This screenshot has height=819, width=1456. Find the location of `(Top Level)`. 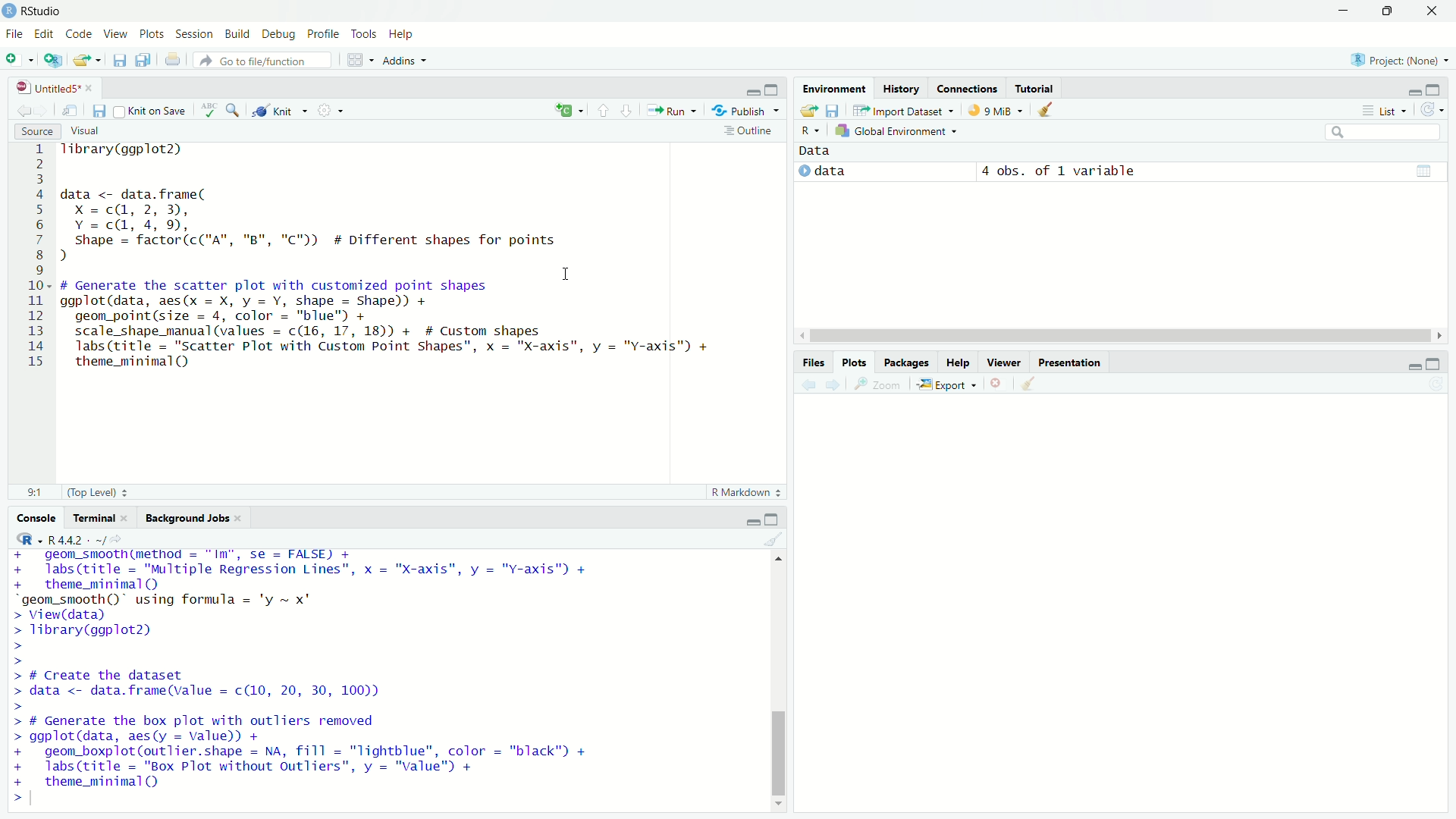

(Top Level) is located at coordinates (96, 493).